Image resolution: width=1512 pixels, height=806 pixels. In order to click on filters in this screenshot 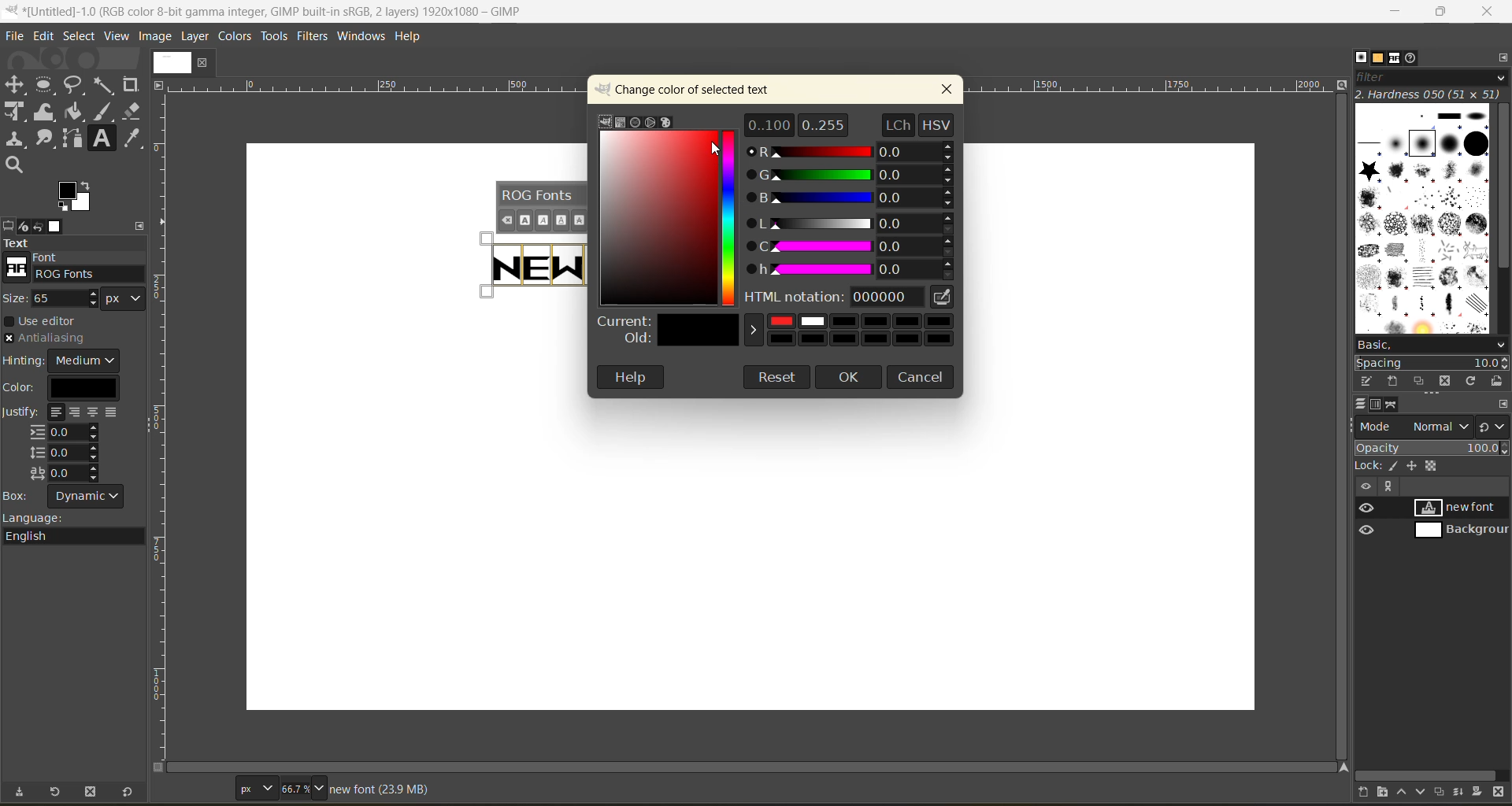, I will do `click(313, 39)`.